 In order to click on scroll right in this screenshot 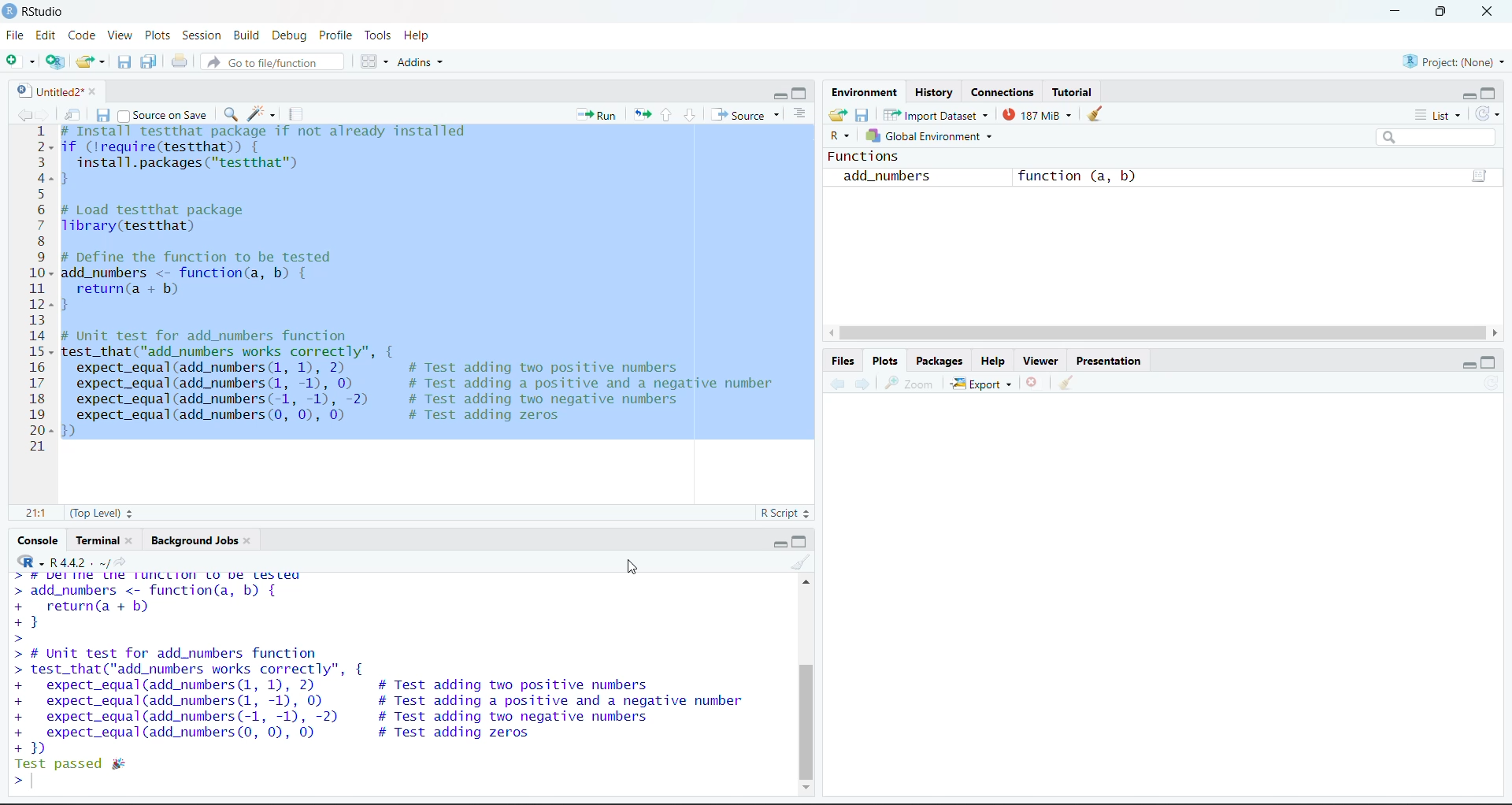, I will do `click(1494, 334)`.